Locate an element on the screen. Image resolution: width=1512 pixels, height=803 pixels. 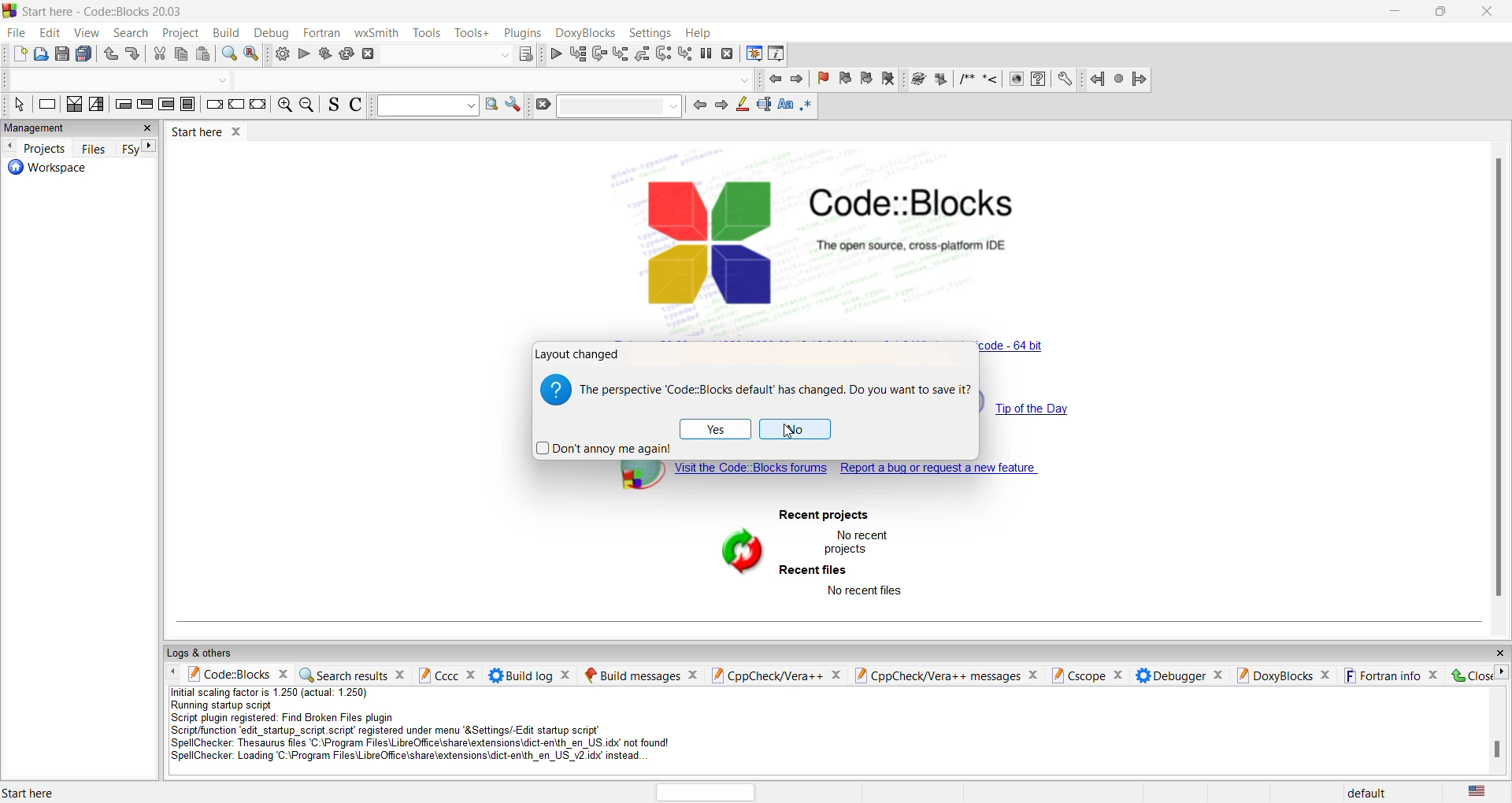
recent project  is located at coordinates (823, 516).